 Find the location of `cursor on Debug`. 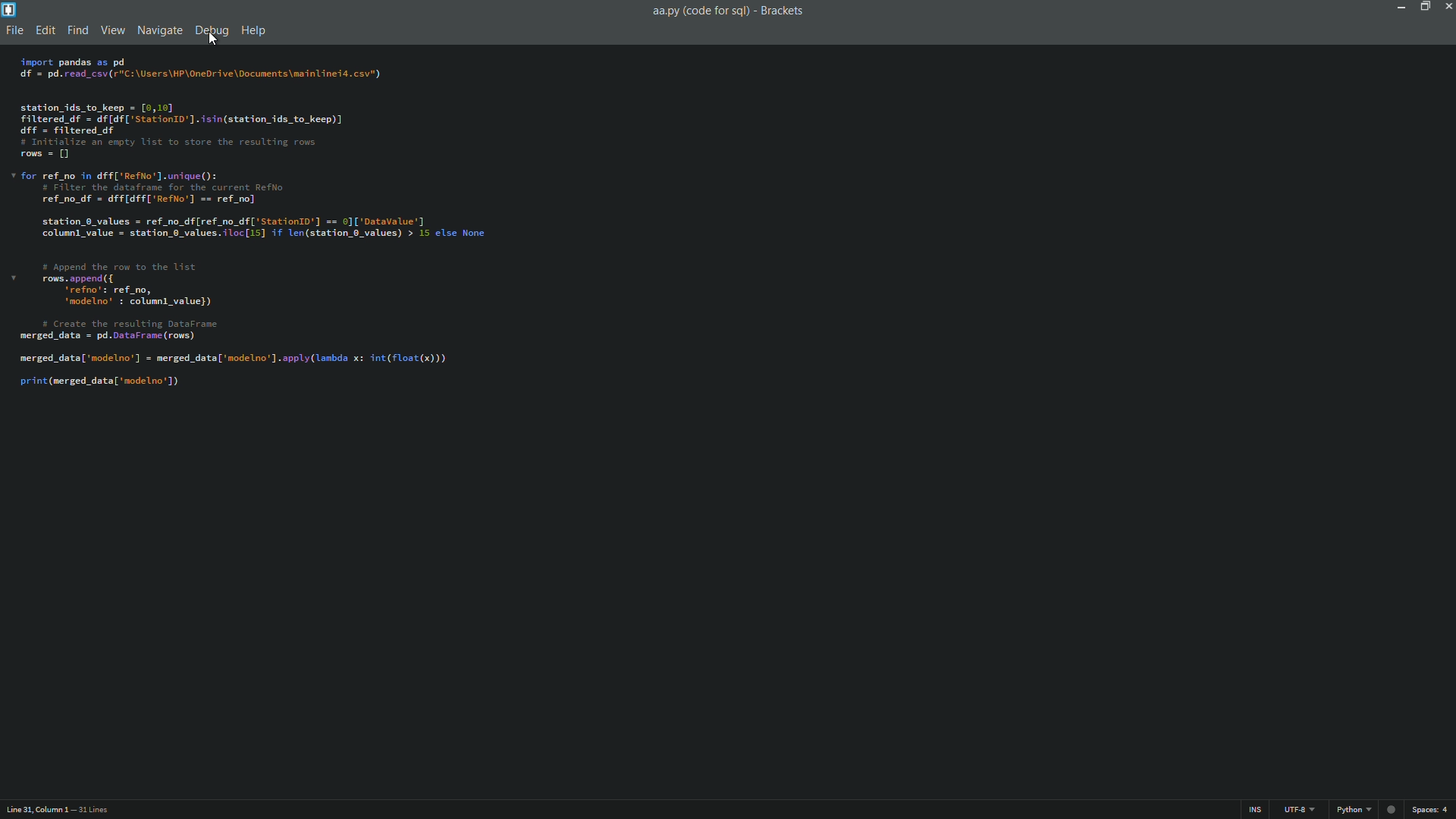

cursor on Debug is located at coordinates (214, 41).